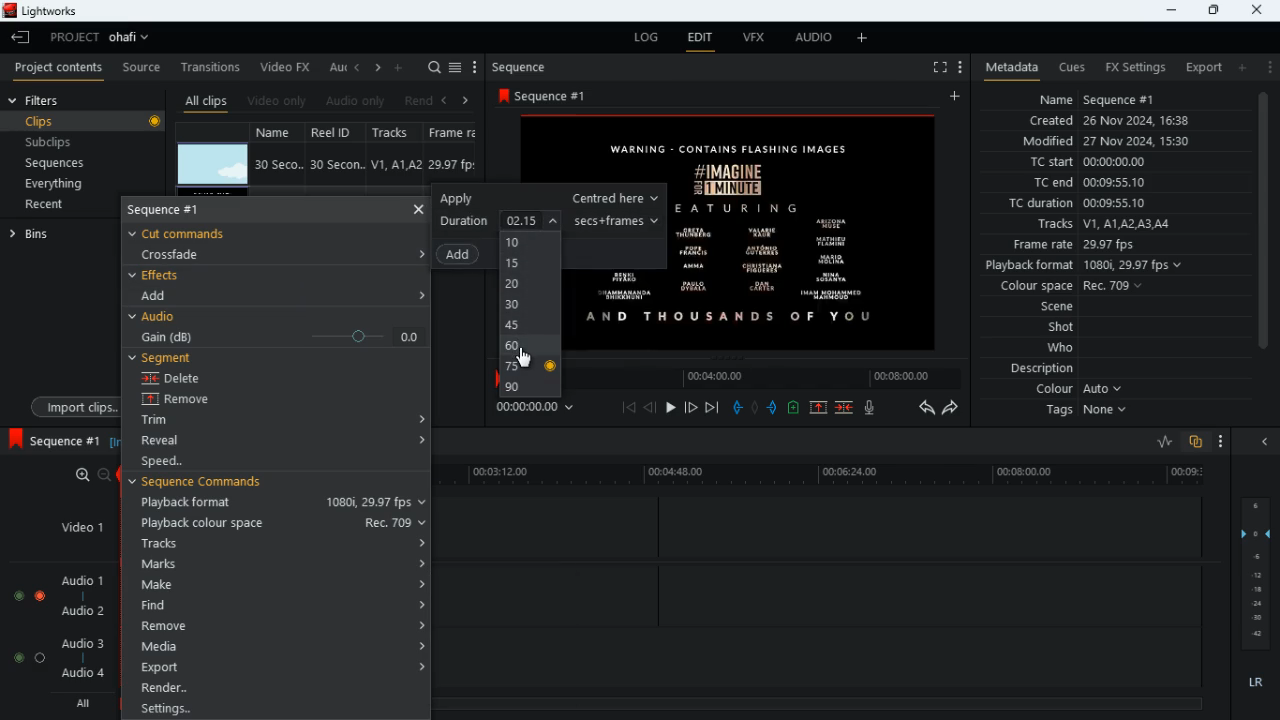  Describe the element at coordinates (526, 360) in the screenshot. I see `cursor` at that location.